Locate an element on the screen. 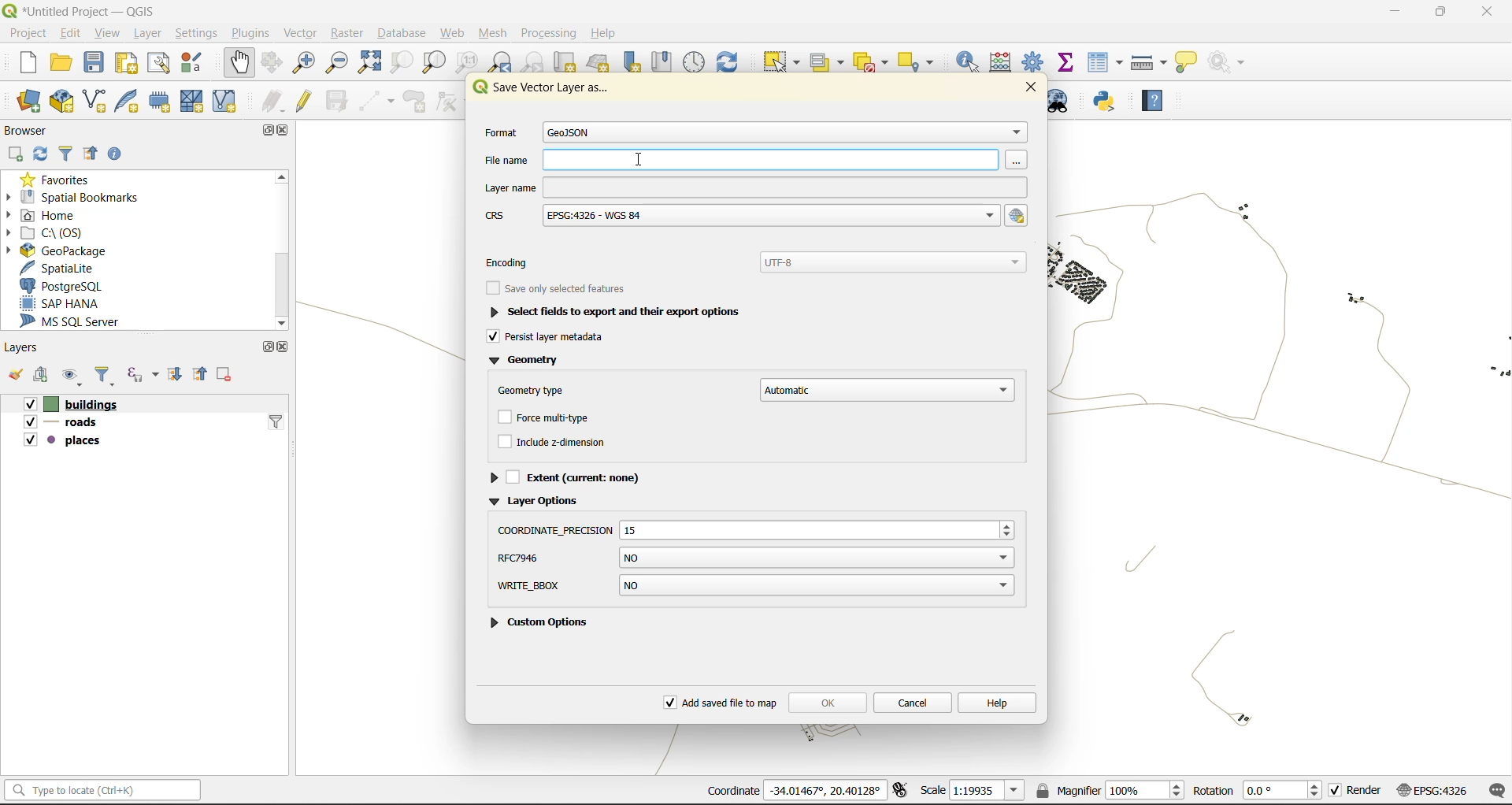 This screenshot has width=1512, height=805. pan map is located at coordinates (239, 65).